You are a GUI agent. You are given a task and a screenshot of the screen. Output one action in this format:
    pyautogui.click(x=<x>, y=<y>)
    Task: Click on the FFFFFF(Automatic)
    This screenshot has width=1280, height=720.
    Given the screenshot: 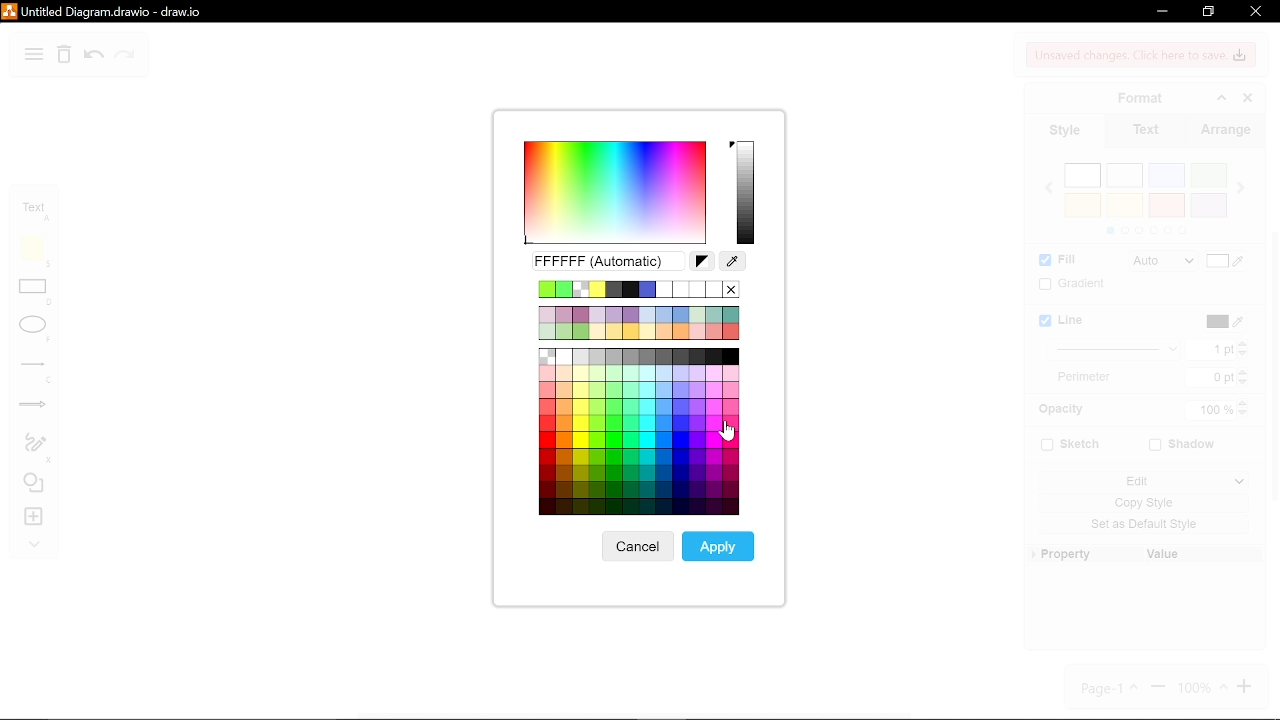 What is the action you would take?
    pyautogui.click(x=605, y=262)
    